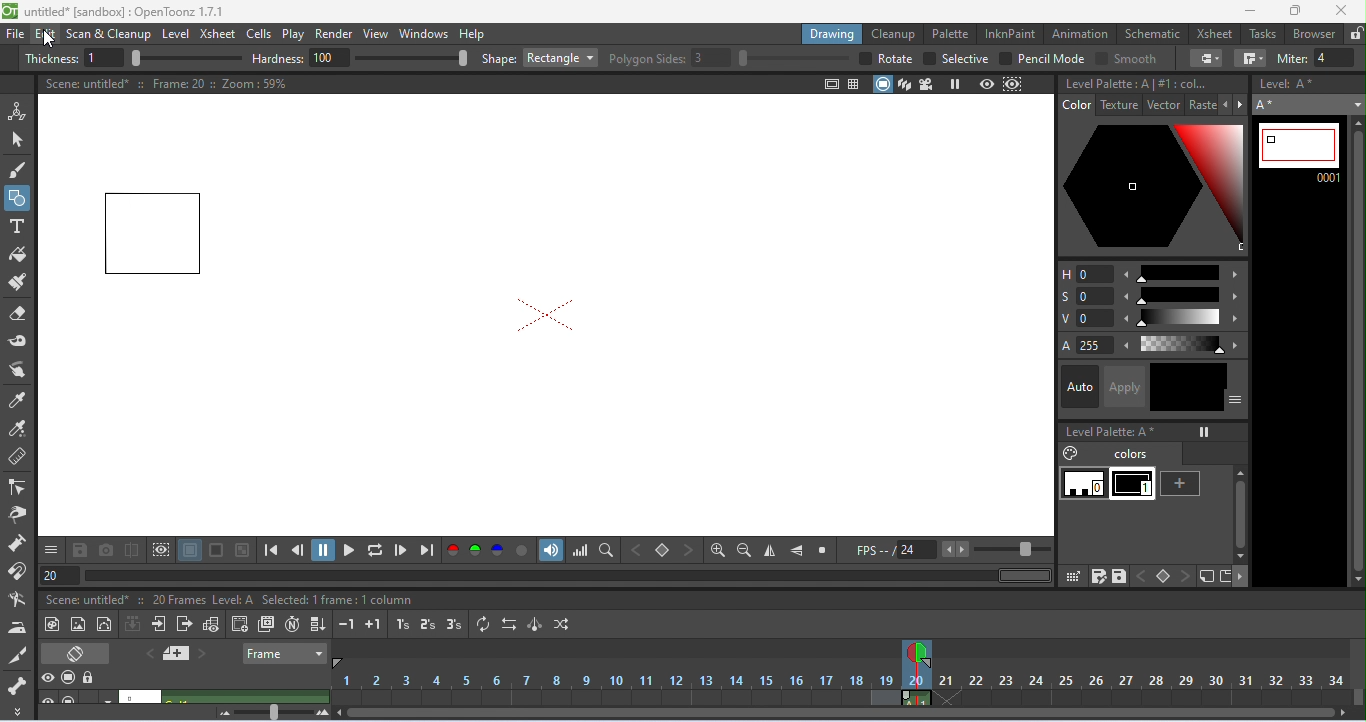 This screenshot has height=722, width=1366. I want to click on frame 20, so click(170, 83).